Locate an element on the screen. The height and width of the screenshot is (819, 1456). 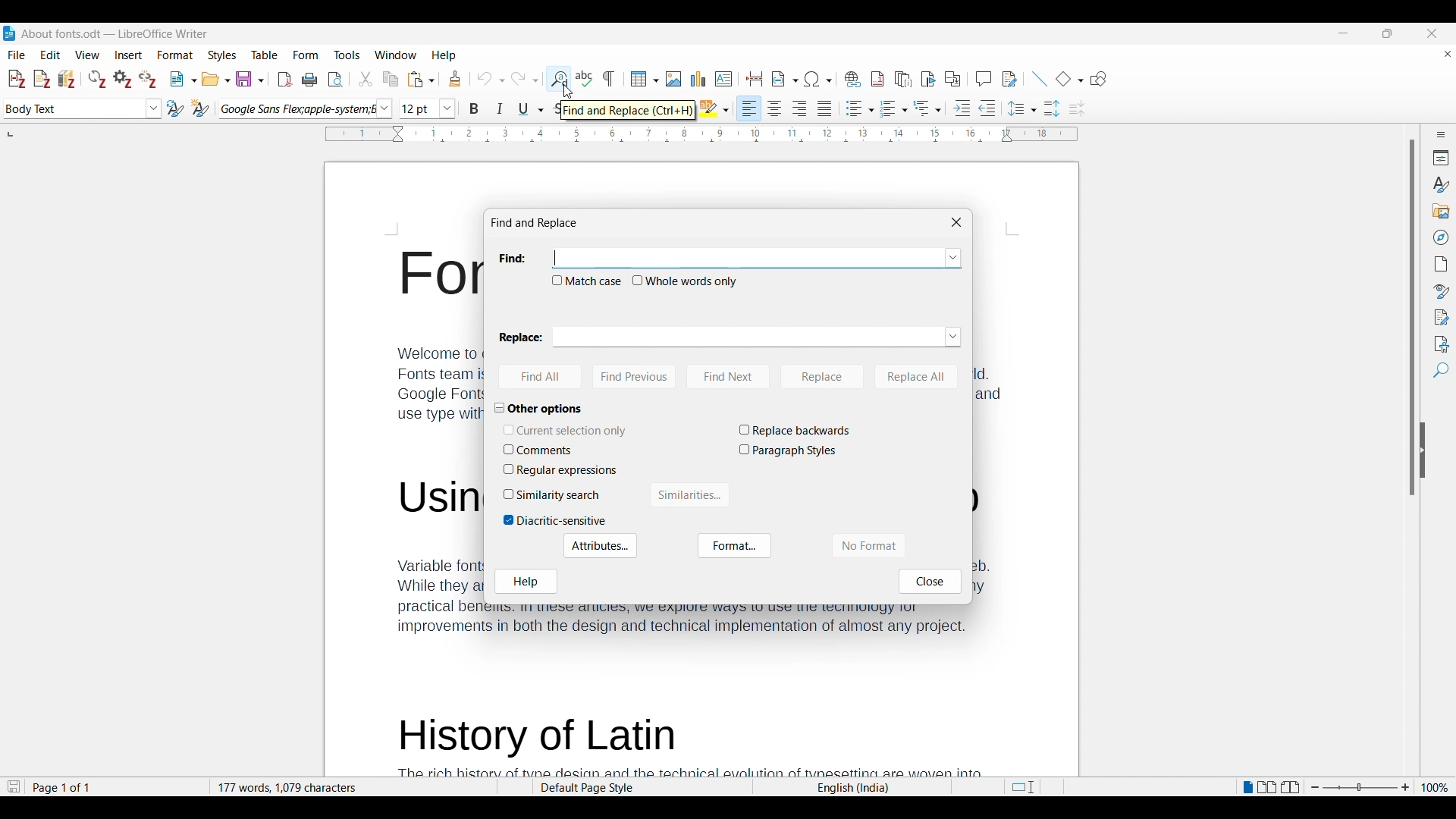
Add/Edit note is located at coordinates (42, 79).